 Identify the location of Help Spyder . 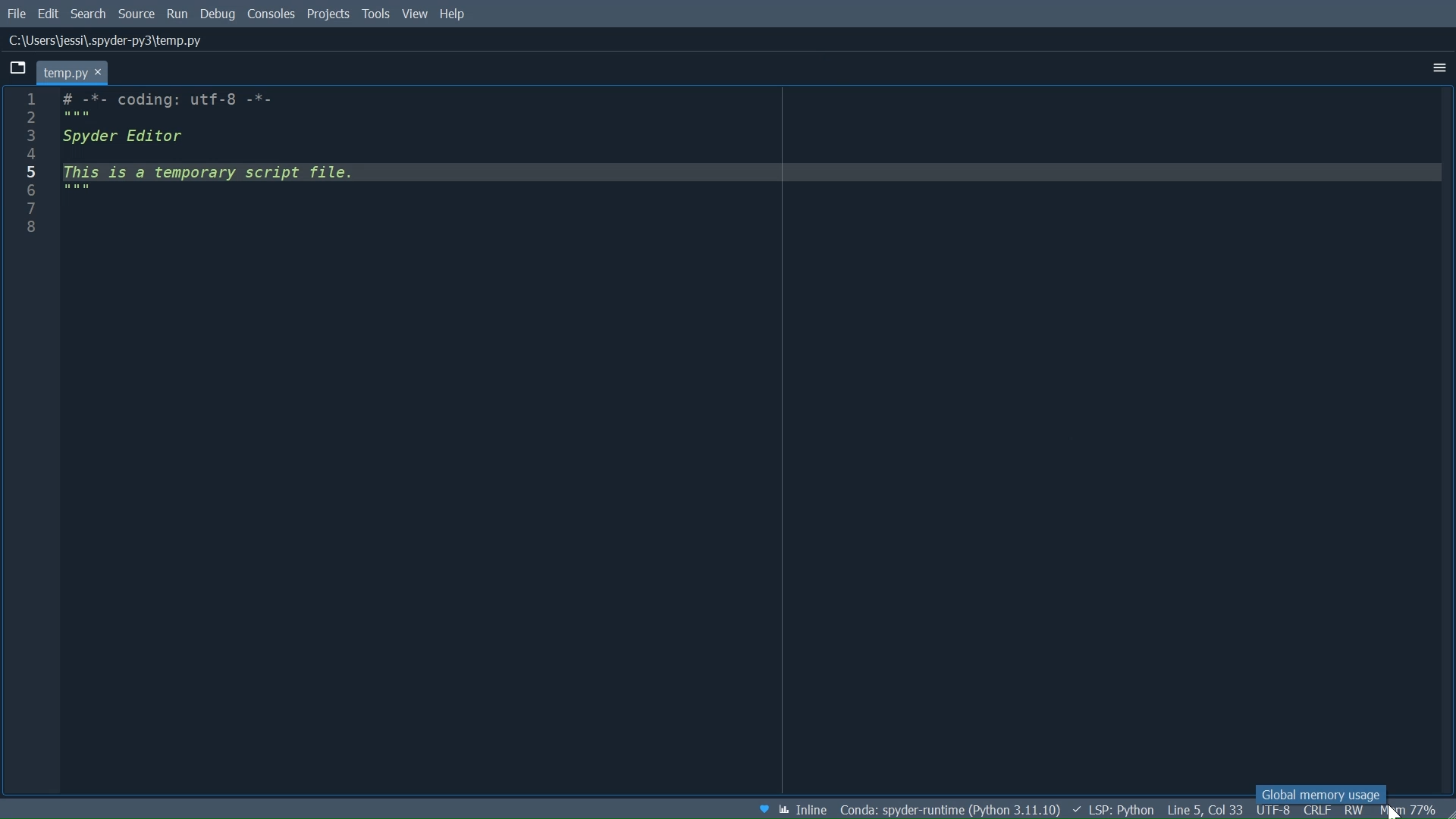
(761, 808).